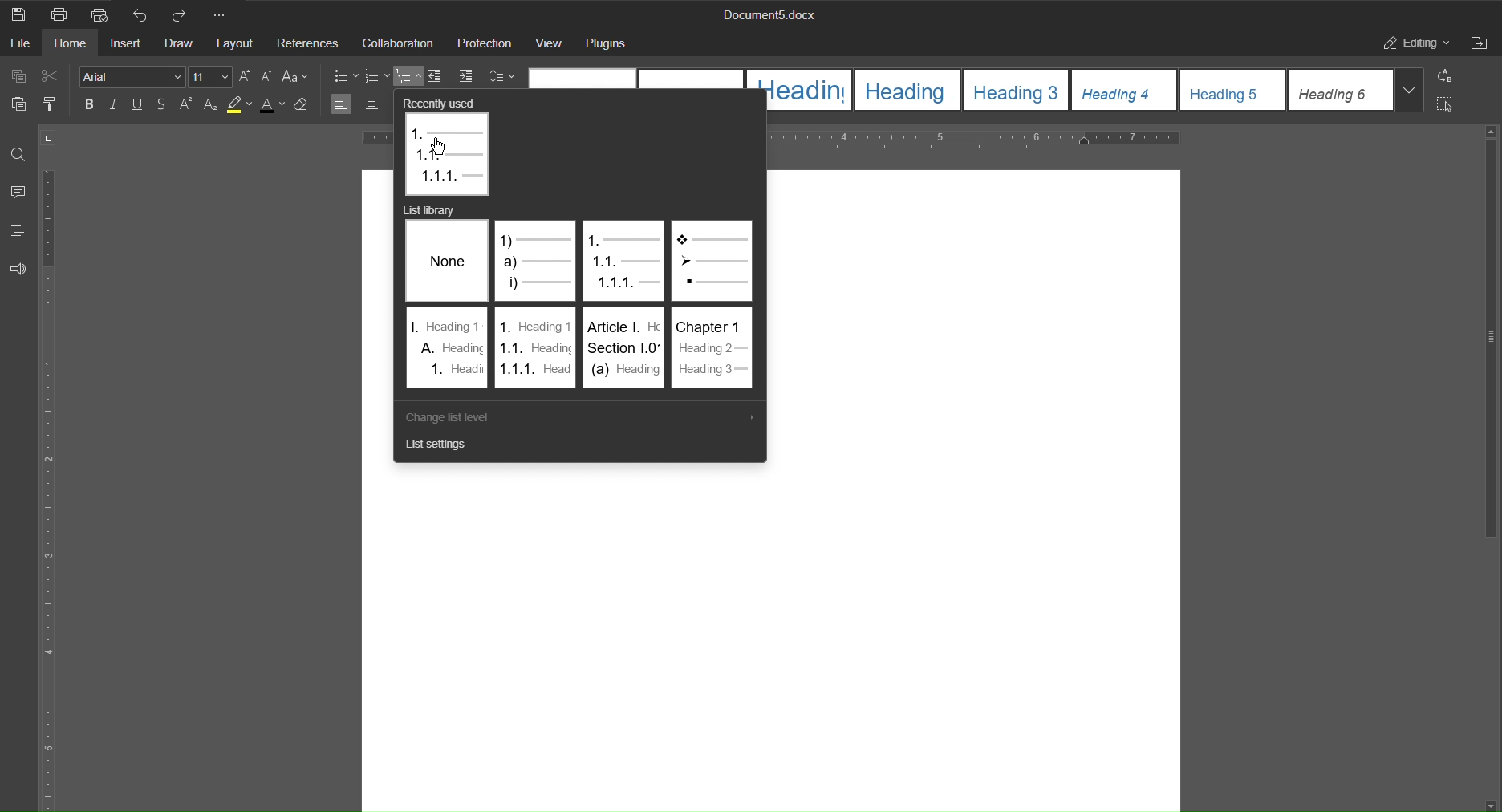 The image size is (1502, 812). I want to click on Bullets, so click(347, 76).